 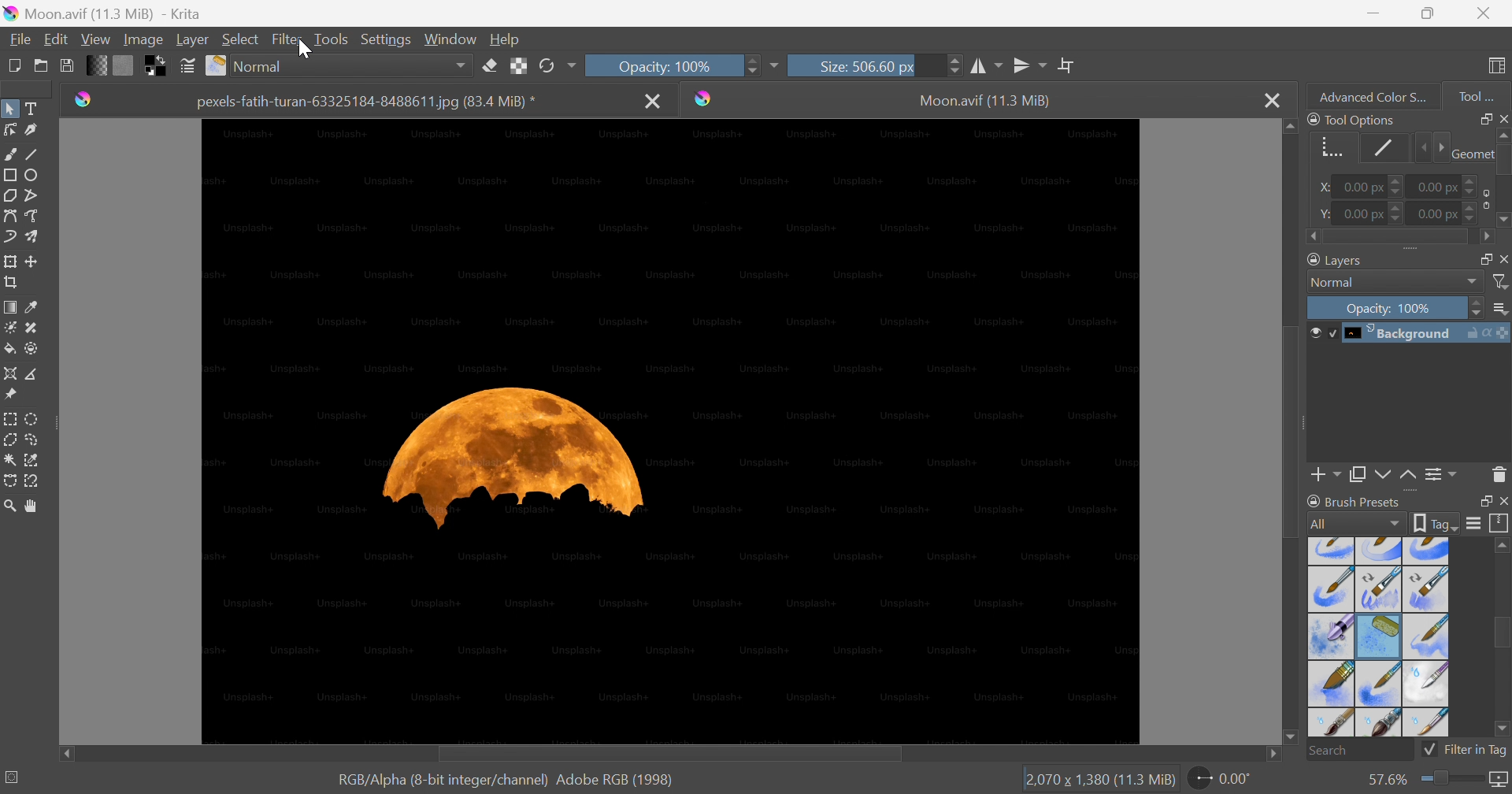 What do you see at coordinates (1382, 476) in the screenshot?
I see `Move layer or mask down` at bounding box center [1382, 476].